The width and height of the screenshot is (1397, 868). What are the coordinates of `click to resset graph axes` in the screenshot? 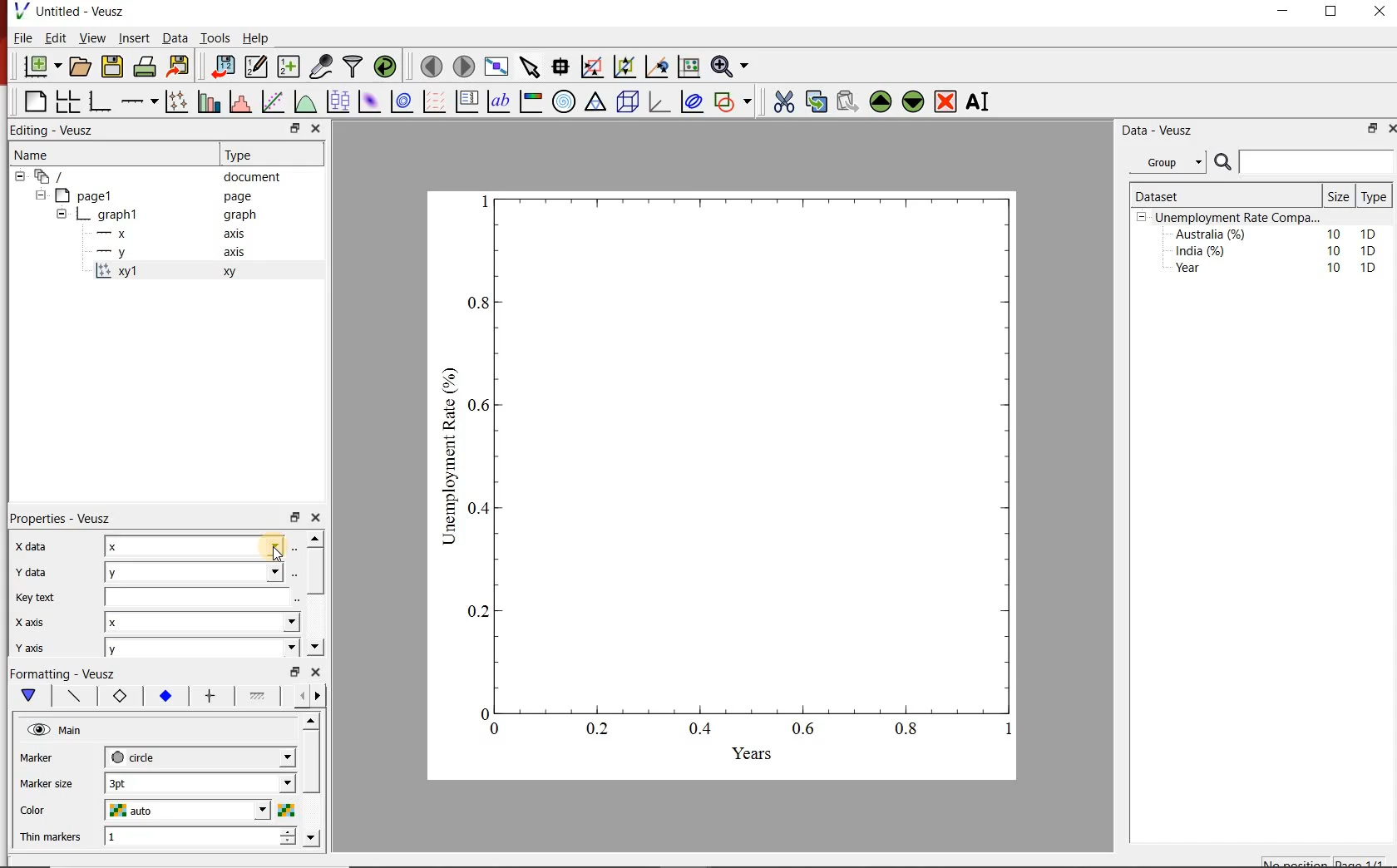 It's located at (689, 65).